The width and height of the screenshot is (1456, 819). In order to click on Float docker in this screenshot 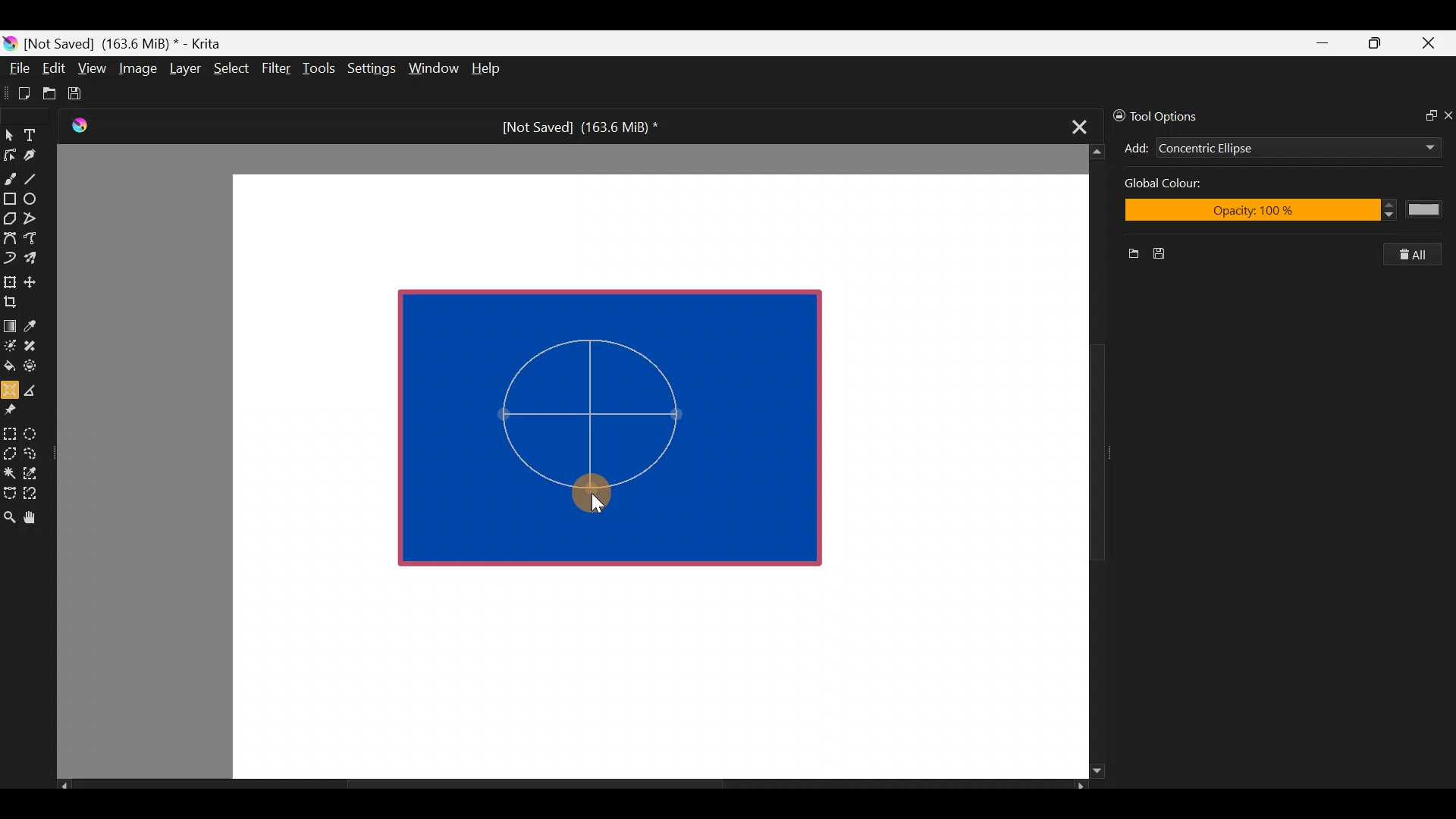, I will do `click(1424, 114)`.